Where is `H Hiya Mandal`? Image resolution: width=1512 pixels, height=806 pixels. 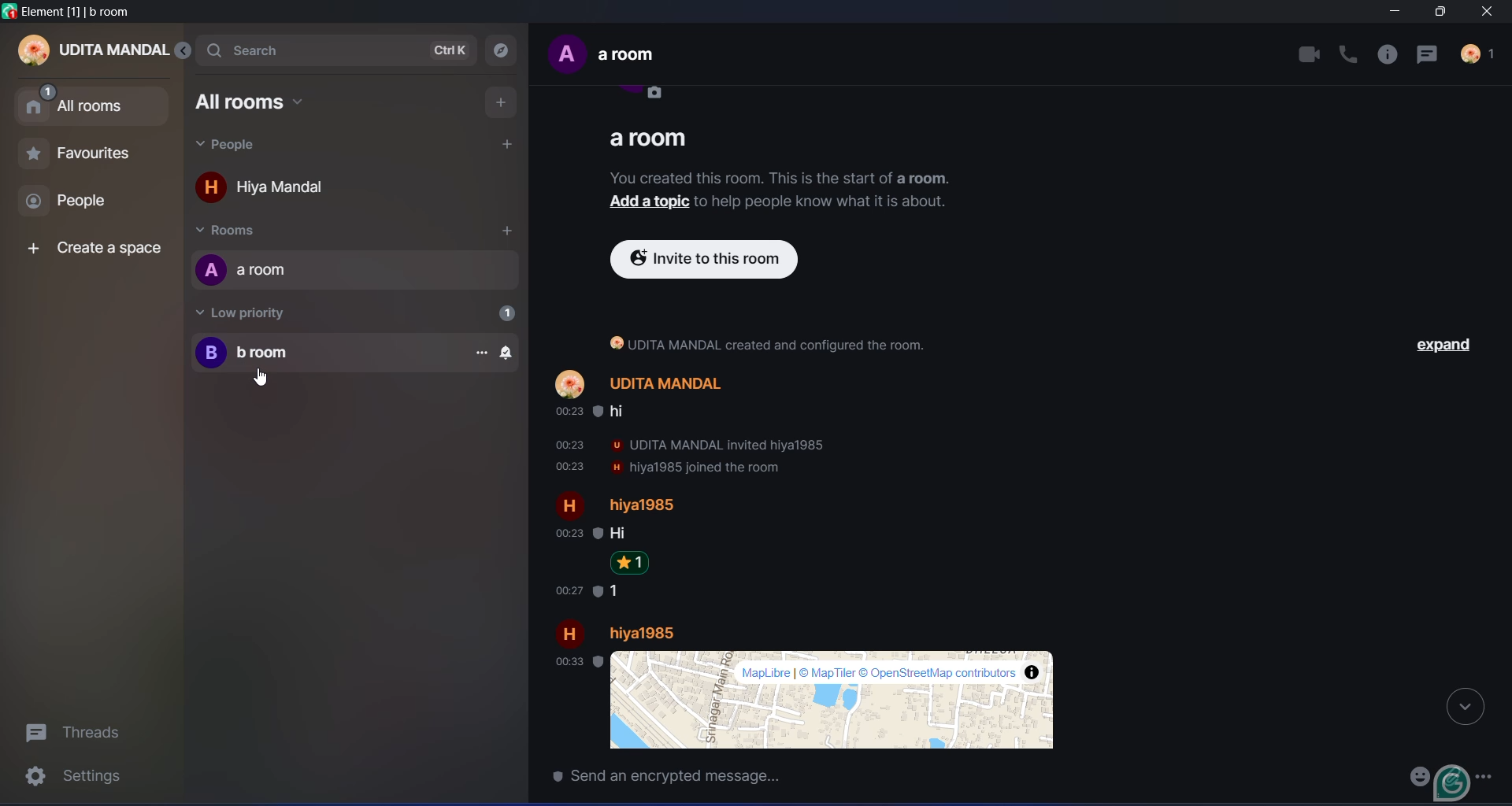
H Hiya Mandal is located at coordinates (276, 190).